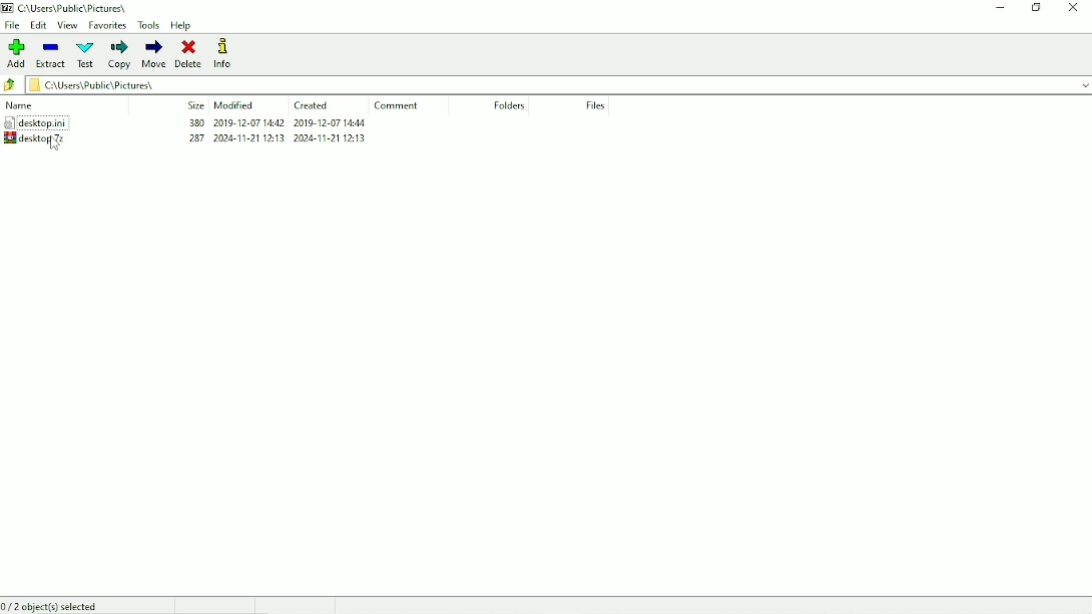 This screenshot has width=1092, height=614. I want to click on desktop.ini, so click(50, 122).